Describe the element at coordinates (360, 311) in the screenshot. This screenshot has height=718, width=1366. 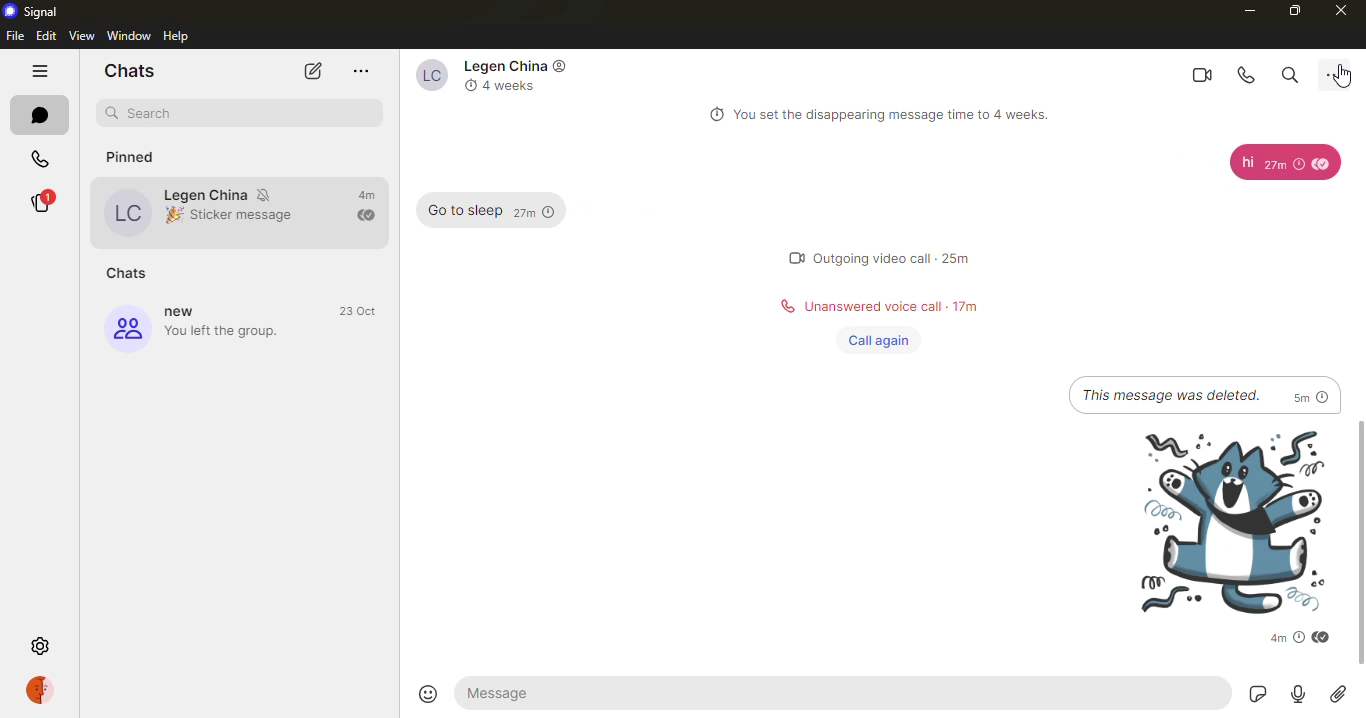
I see `time` at that location.